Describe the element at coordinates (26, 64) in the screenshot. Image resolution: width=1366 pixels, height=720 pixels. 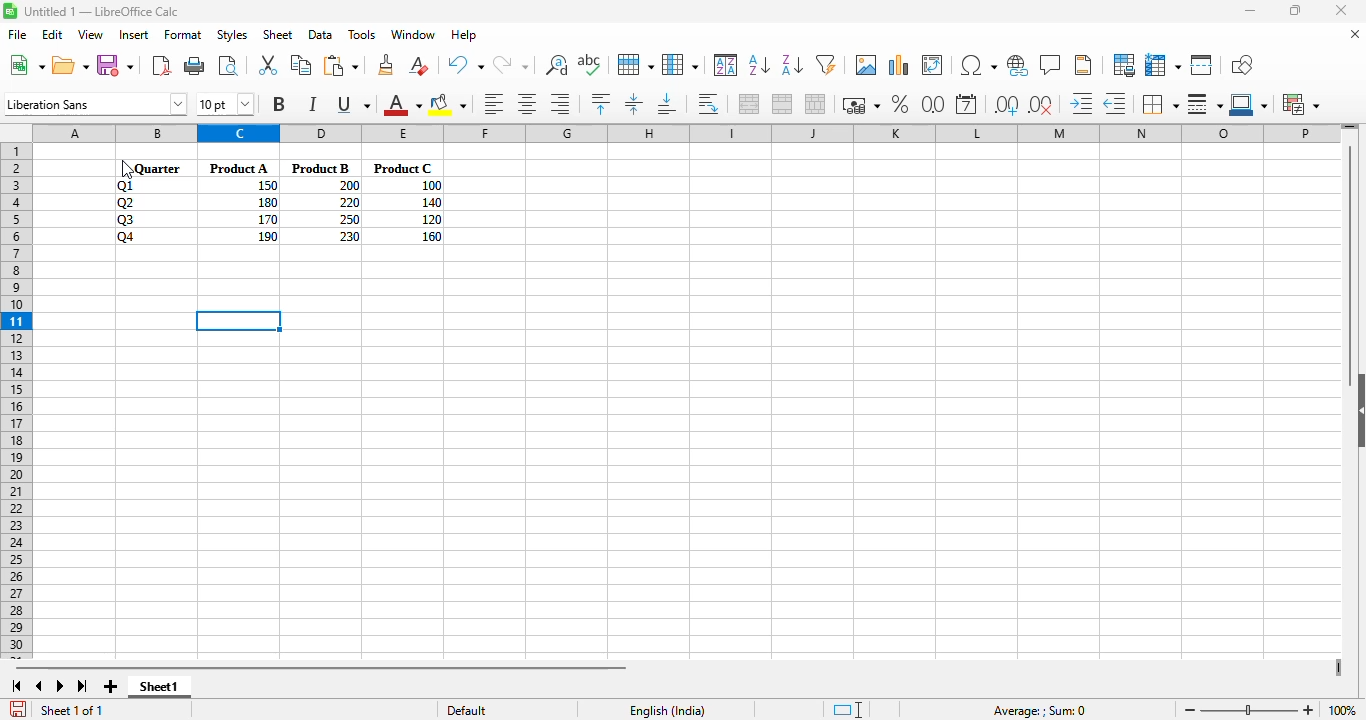
I see `new` at that location.